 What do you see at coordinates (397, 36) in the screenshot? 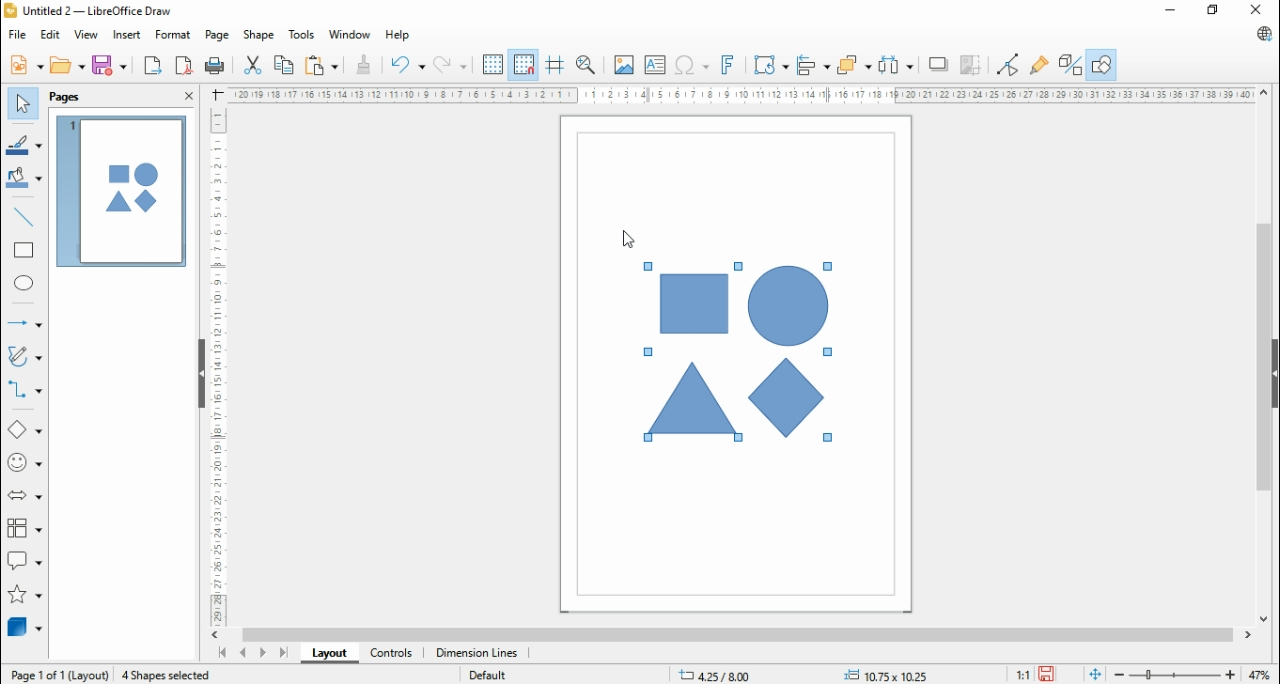
I see `help` at bounding box center [397, 36].